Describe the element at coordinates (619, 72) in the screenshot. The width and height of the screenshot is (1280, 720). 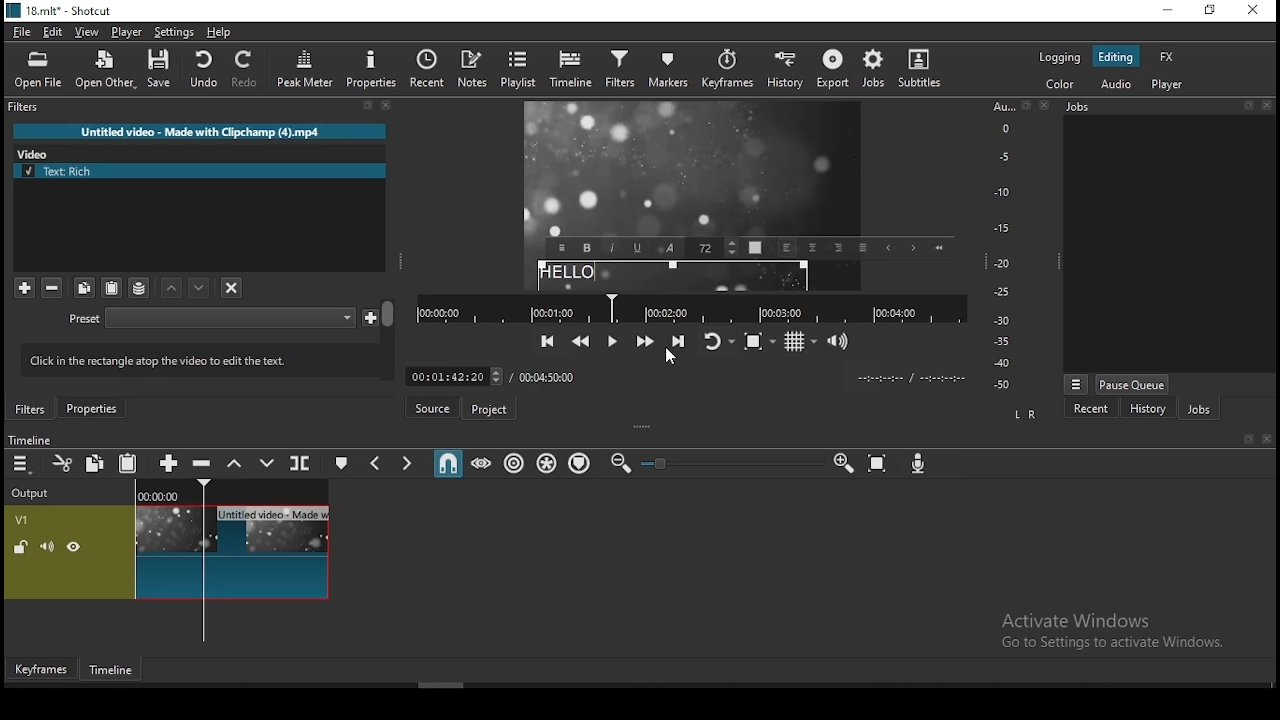
I see `filters` at that location.